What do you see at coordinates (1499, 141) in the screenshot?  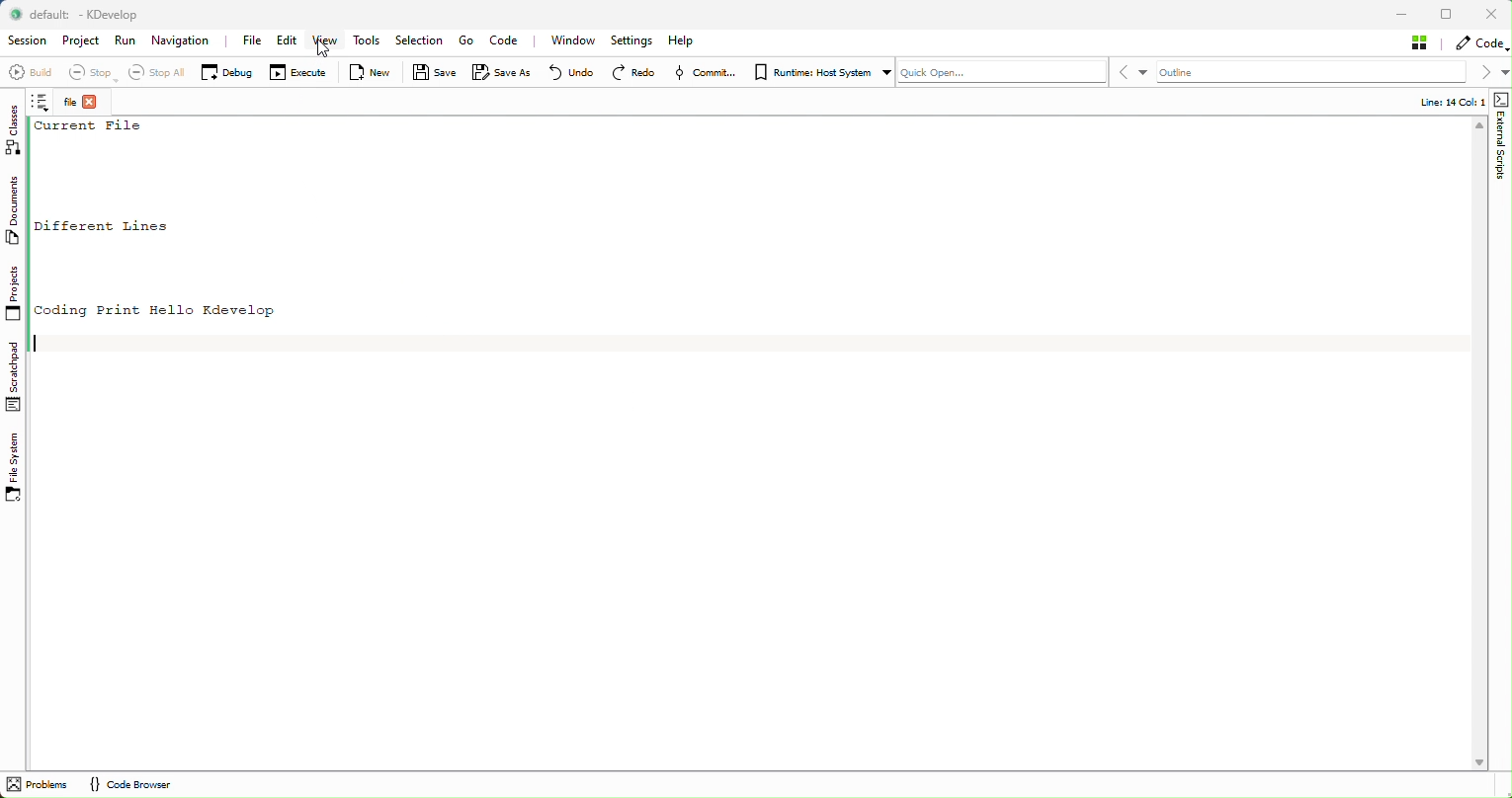 I see `Shape` at bounding box center [1499, 141].